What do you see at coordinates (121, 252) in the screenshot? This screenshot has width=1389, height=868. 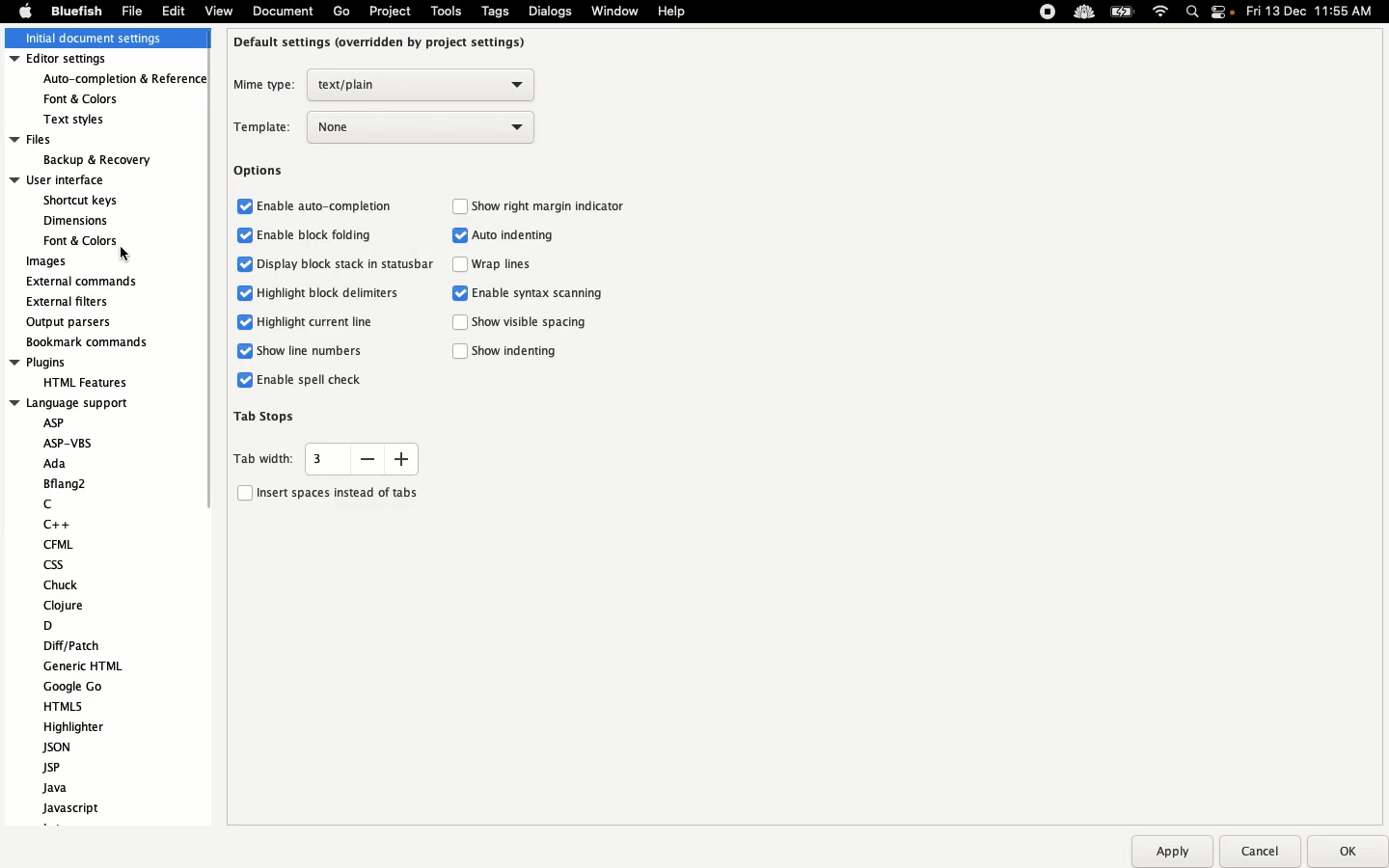 I see `cursor` at bounding box center [121, 252].